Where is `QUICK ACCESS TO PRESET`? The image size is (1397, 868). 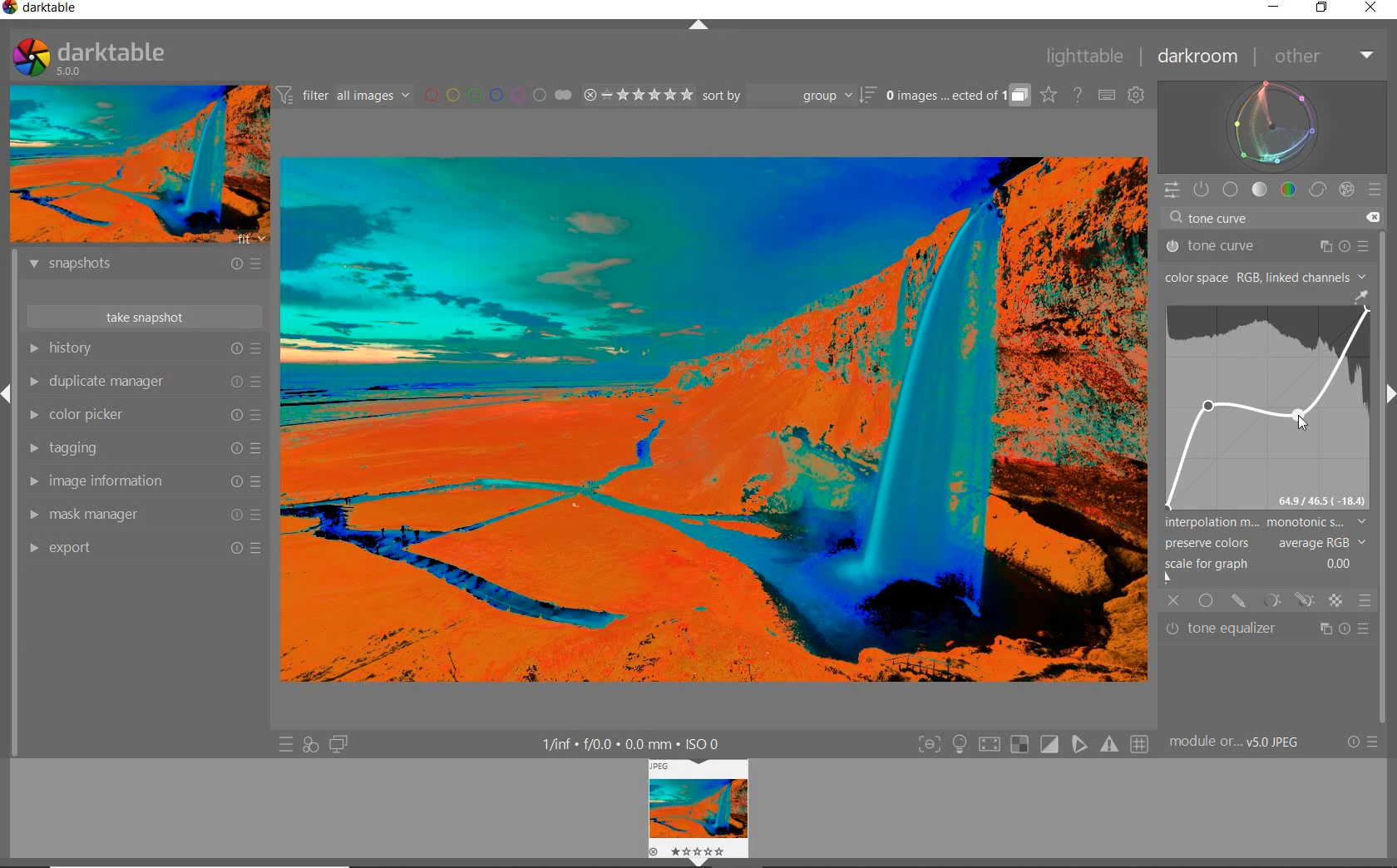 QUICK ACCESS TO PRESET is located at coordinates (285, 743).